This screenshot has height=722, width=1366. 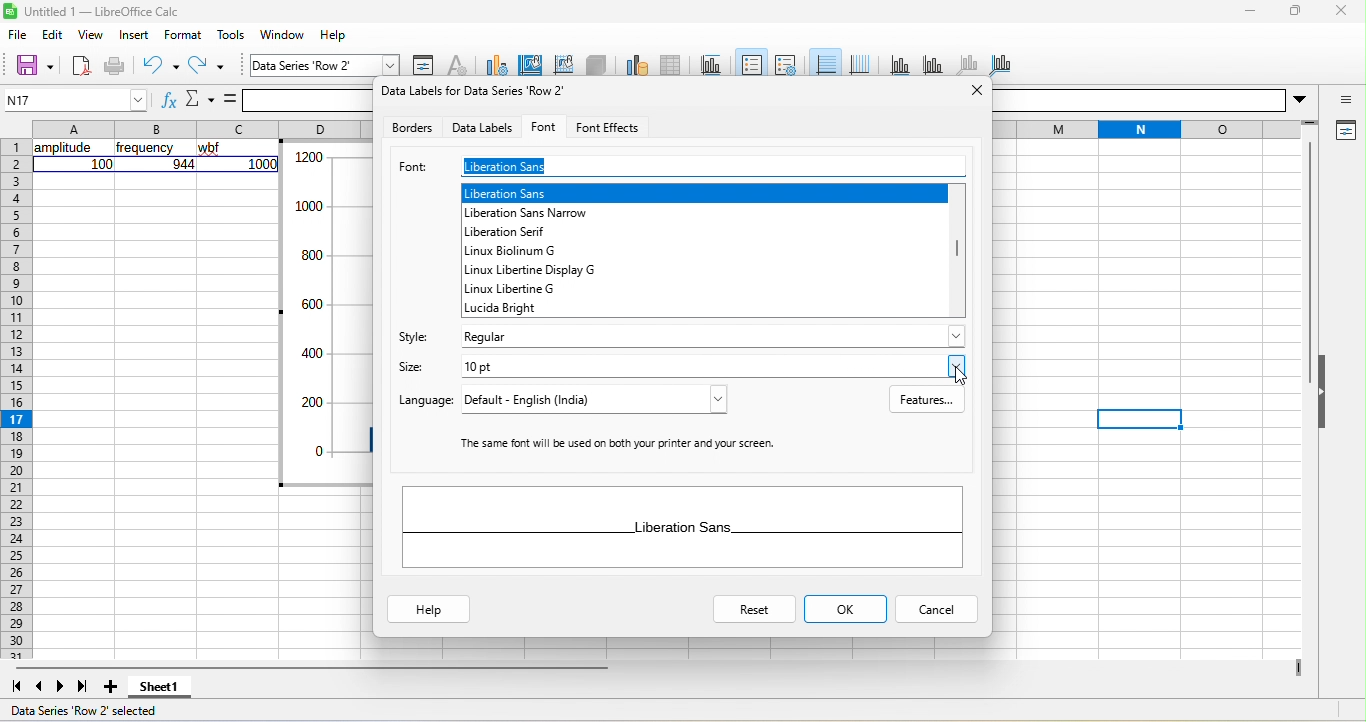 What do you see at coordinates (208, 66) in the screenshot?
I see `redo` at bounding box center [208, 66].